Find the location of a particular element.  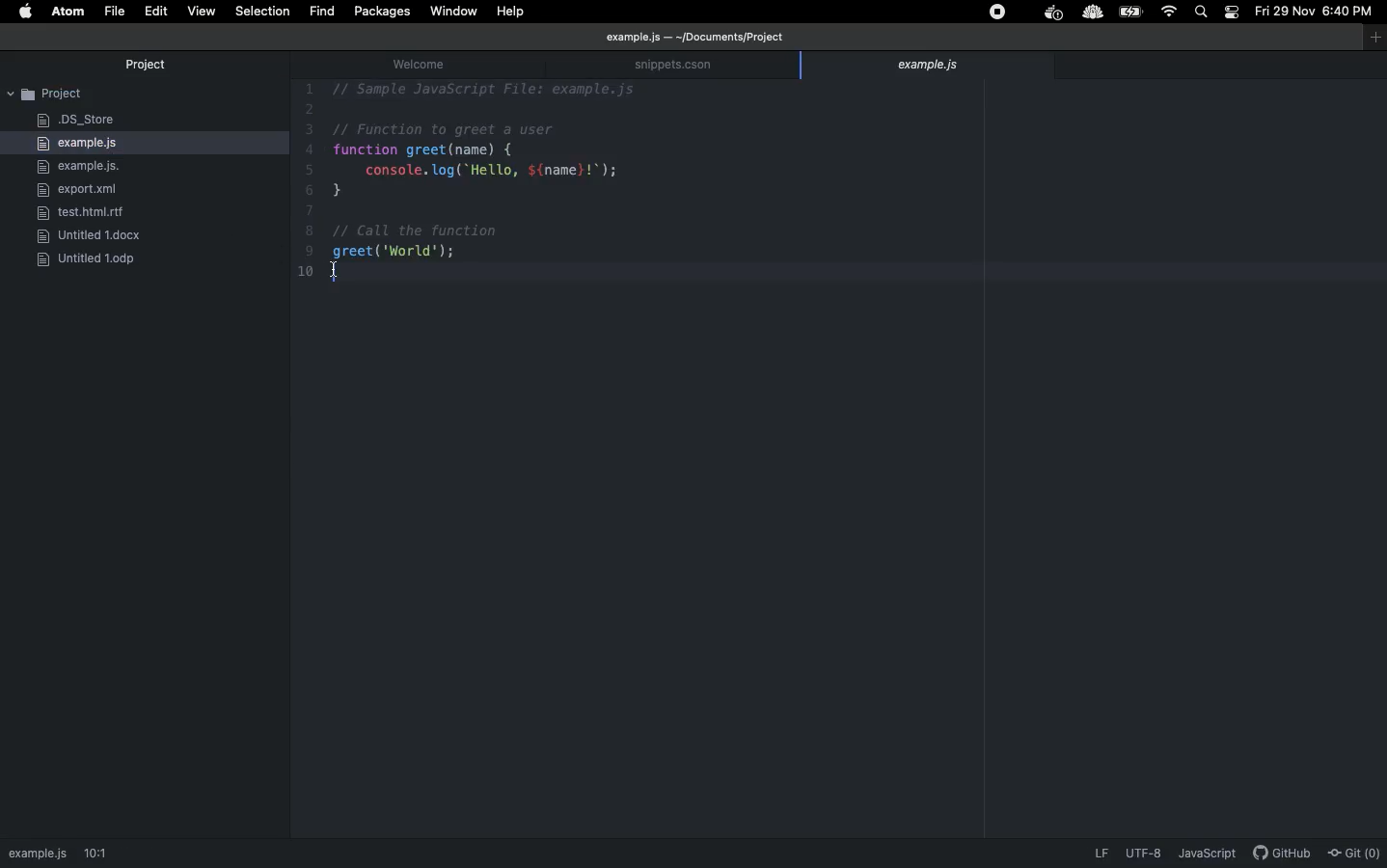

description is located at coordinates (1283, 854).